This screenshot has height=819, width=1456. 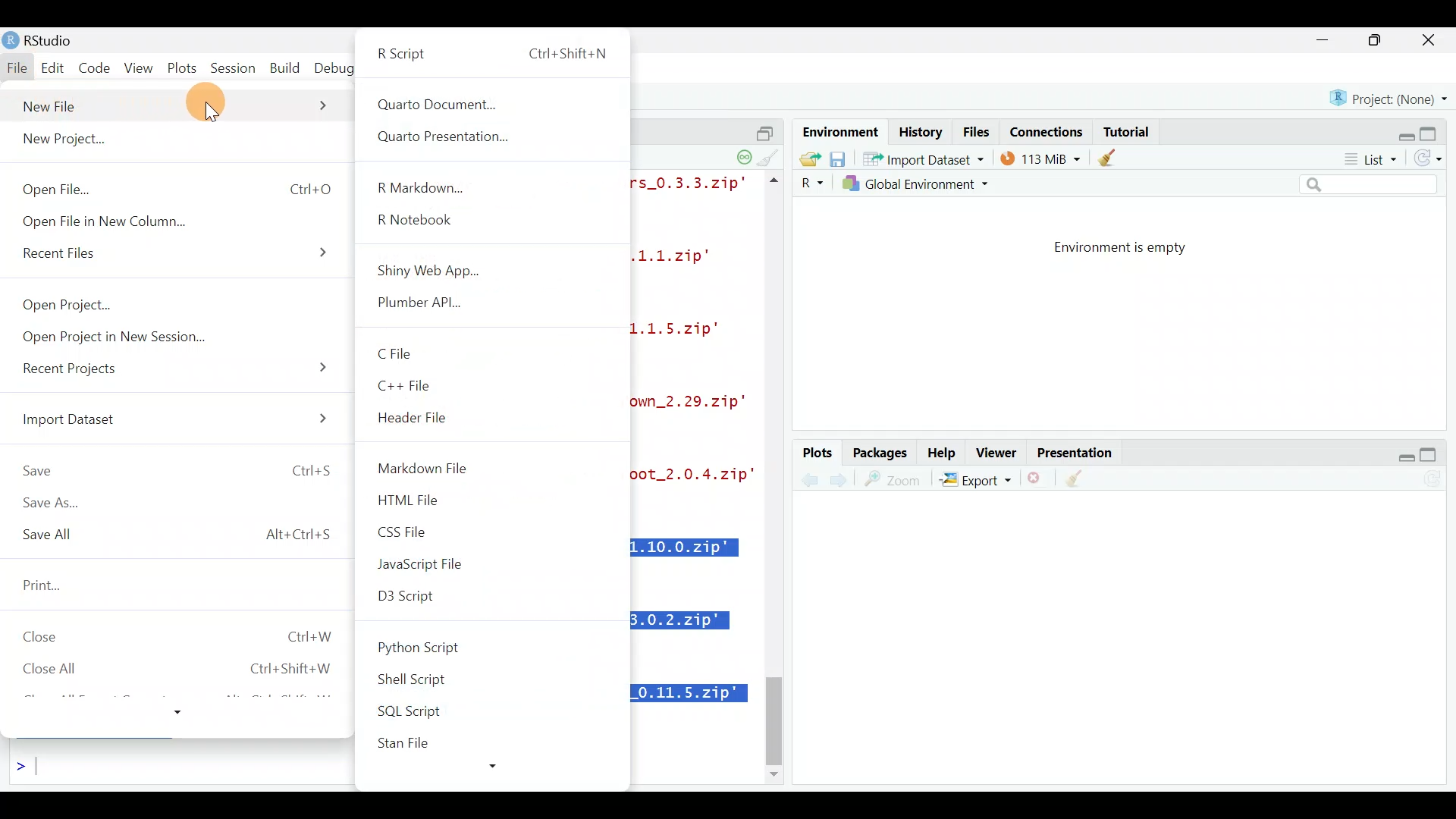 I want to click on Debug, so click(x=333, y=69).